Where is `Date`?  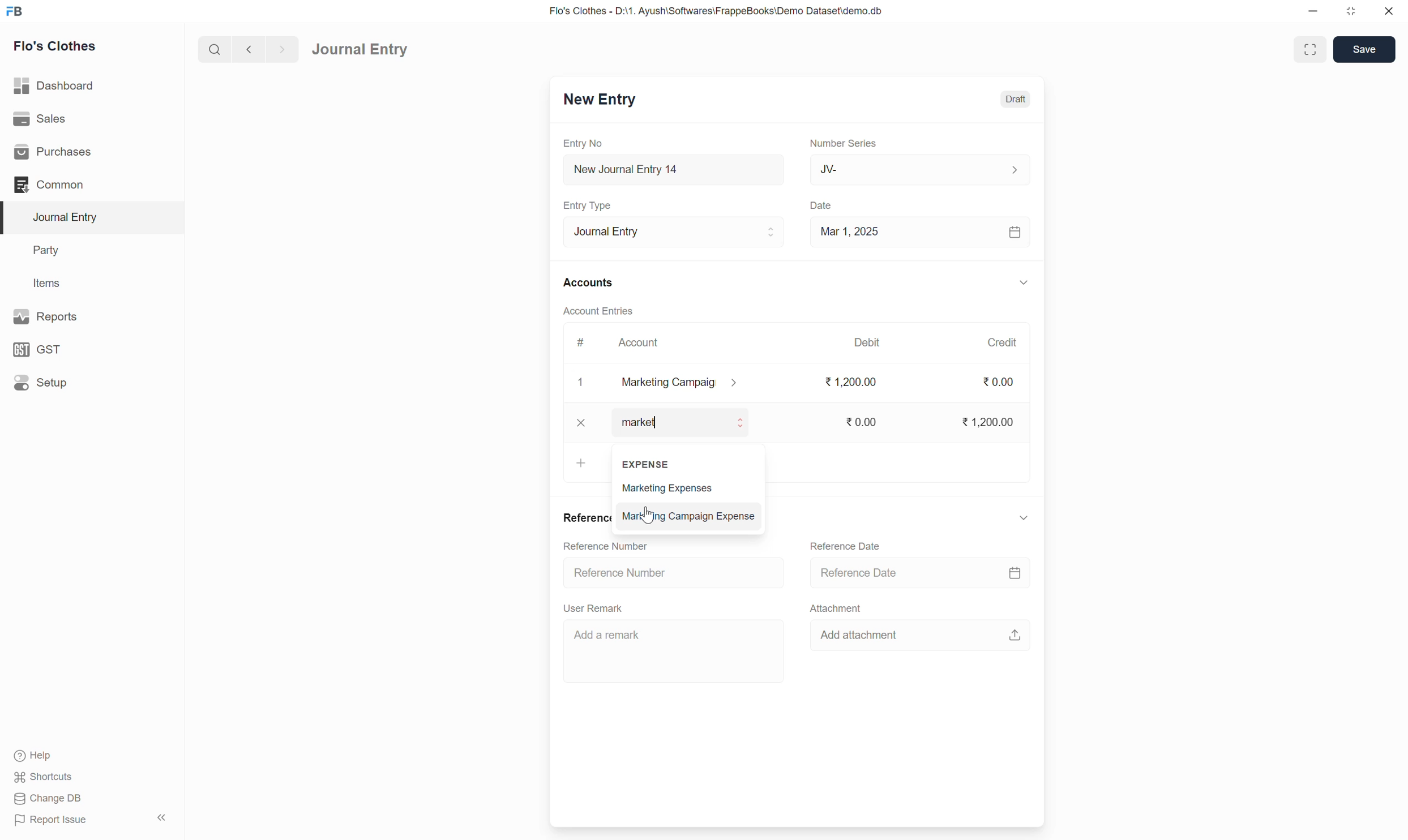 Date is located at coordinates (824, 206).